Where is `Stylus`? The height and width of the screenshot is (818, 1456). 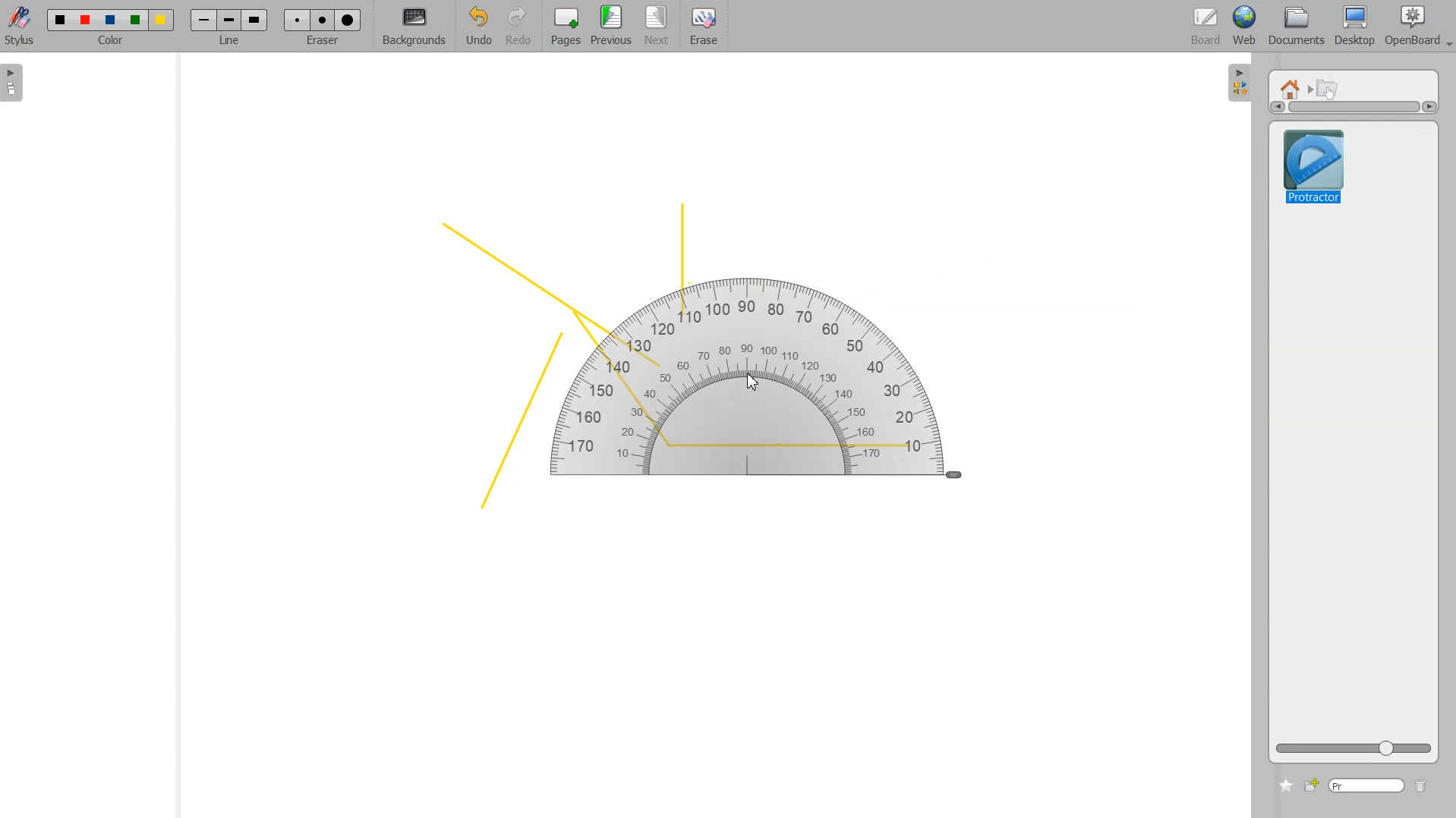 Stylus is located at coordinates (21, 25).